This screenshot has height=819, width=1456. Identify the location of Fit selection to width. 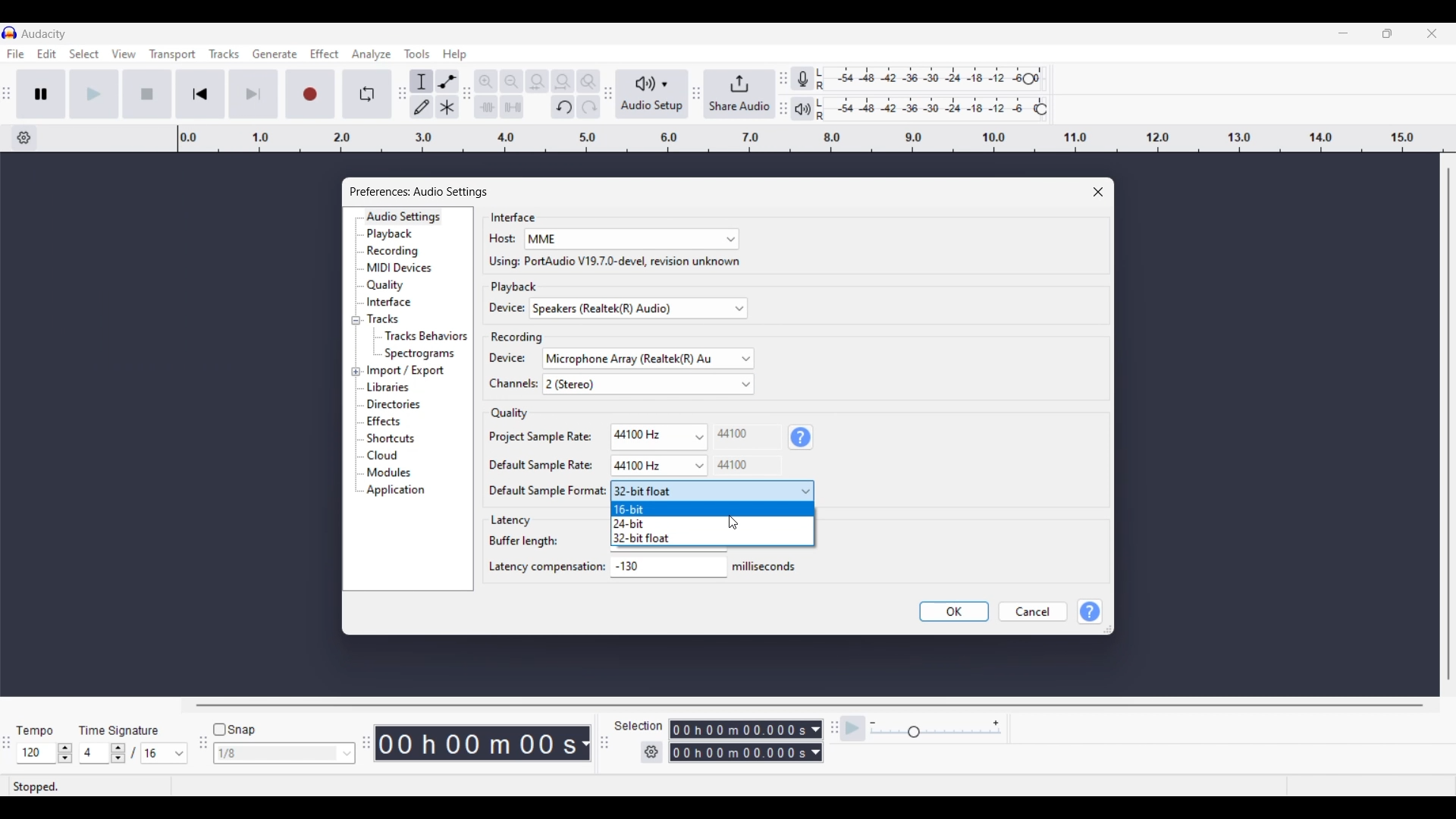
(537, 82).